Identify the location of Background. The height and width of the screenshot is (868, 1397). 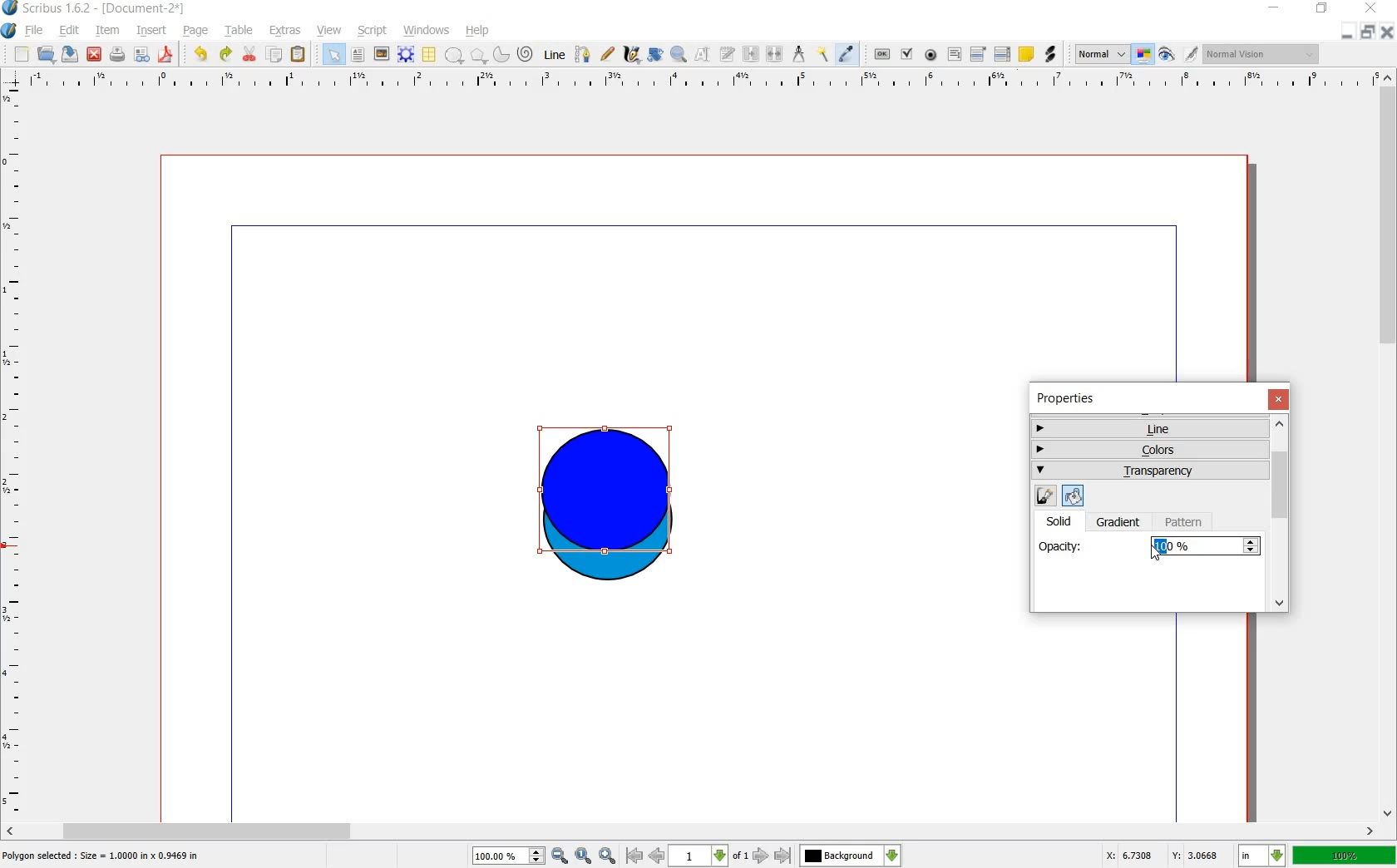
(851, 856).